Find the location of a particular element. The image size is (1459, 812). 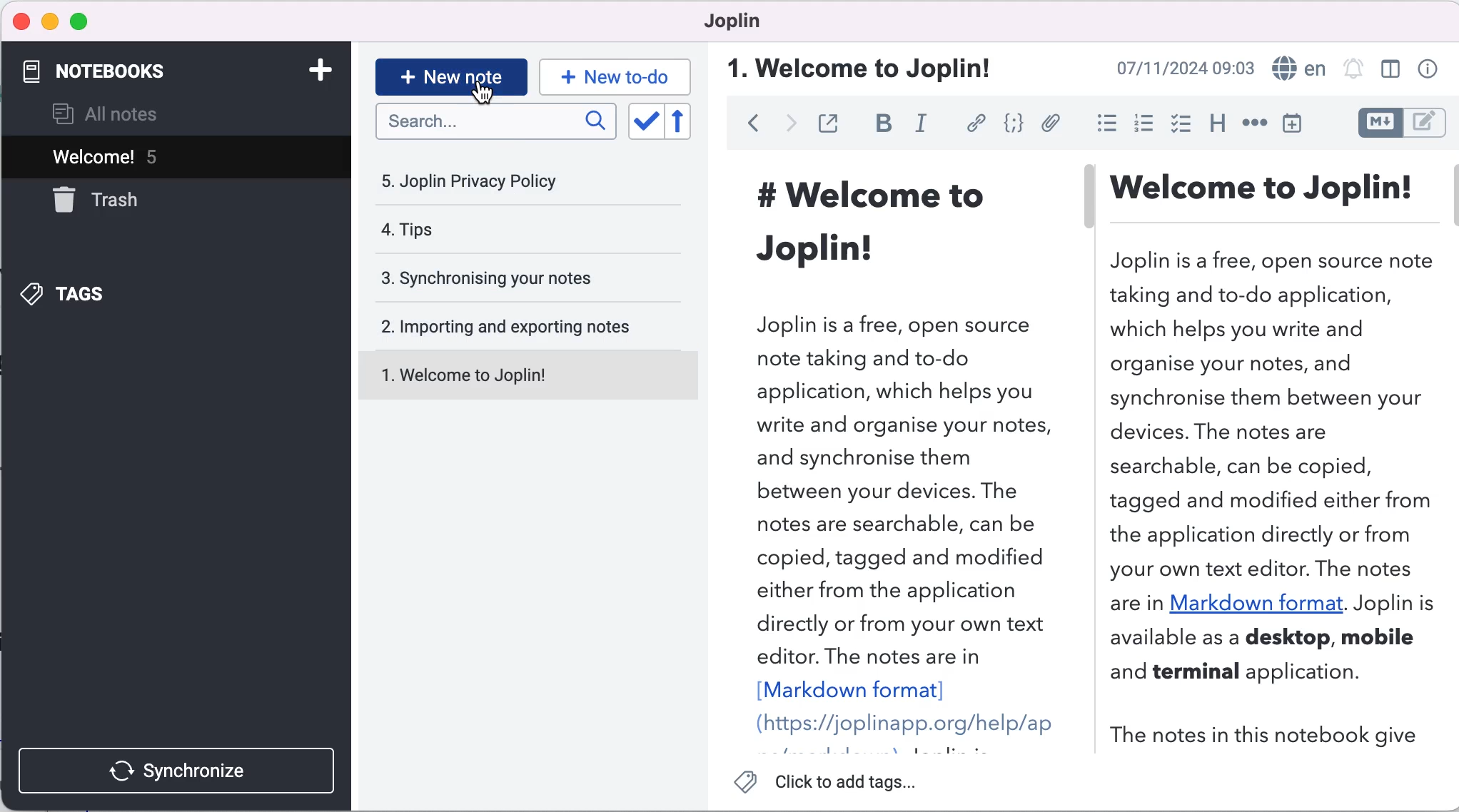

horizontal rule is located at coordinates (1254, 123).